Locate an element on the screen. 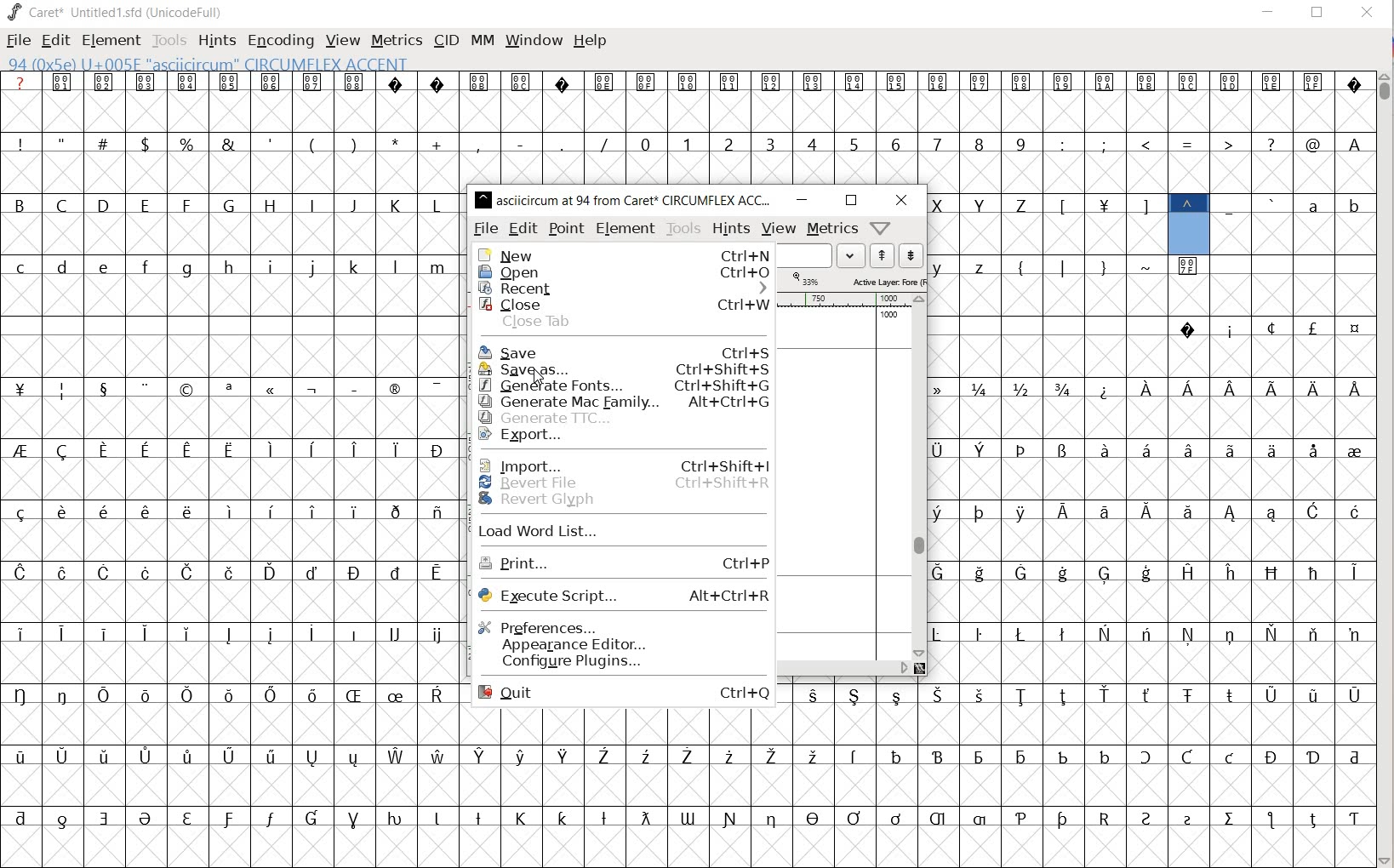 This screenshot has width=1394, height=868. 94 0xSe U+00SE "asciicircum CIRCUMFLEX ACCENT is located at coordinates (269, 65).